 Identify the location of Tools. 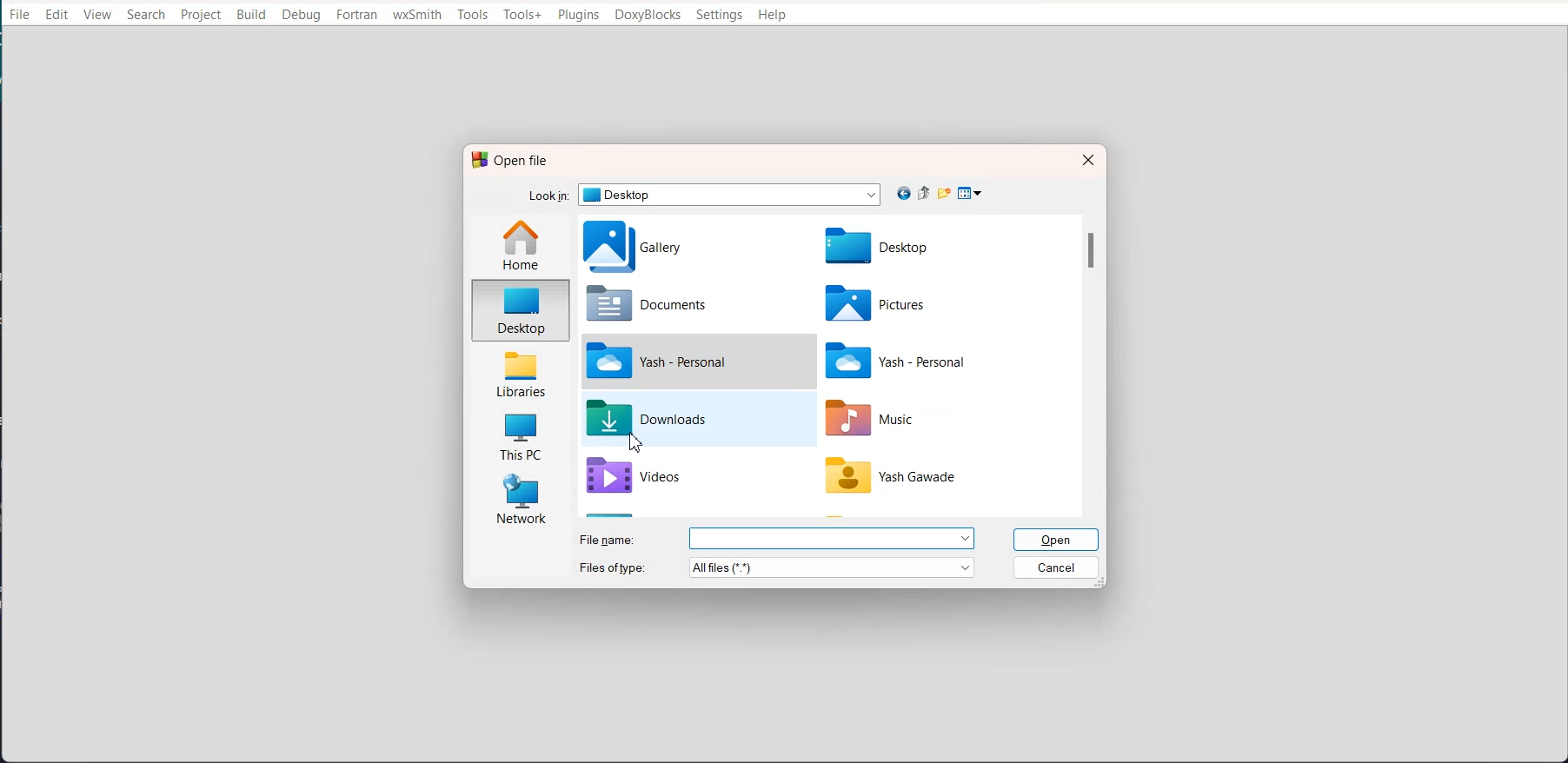
(473, 15).